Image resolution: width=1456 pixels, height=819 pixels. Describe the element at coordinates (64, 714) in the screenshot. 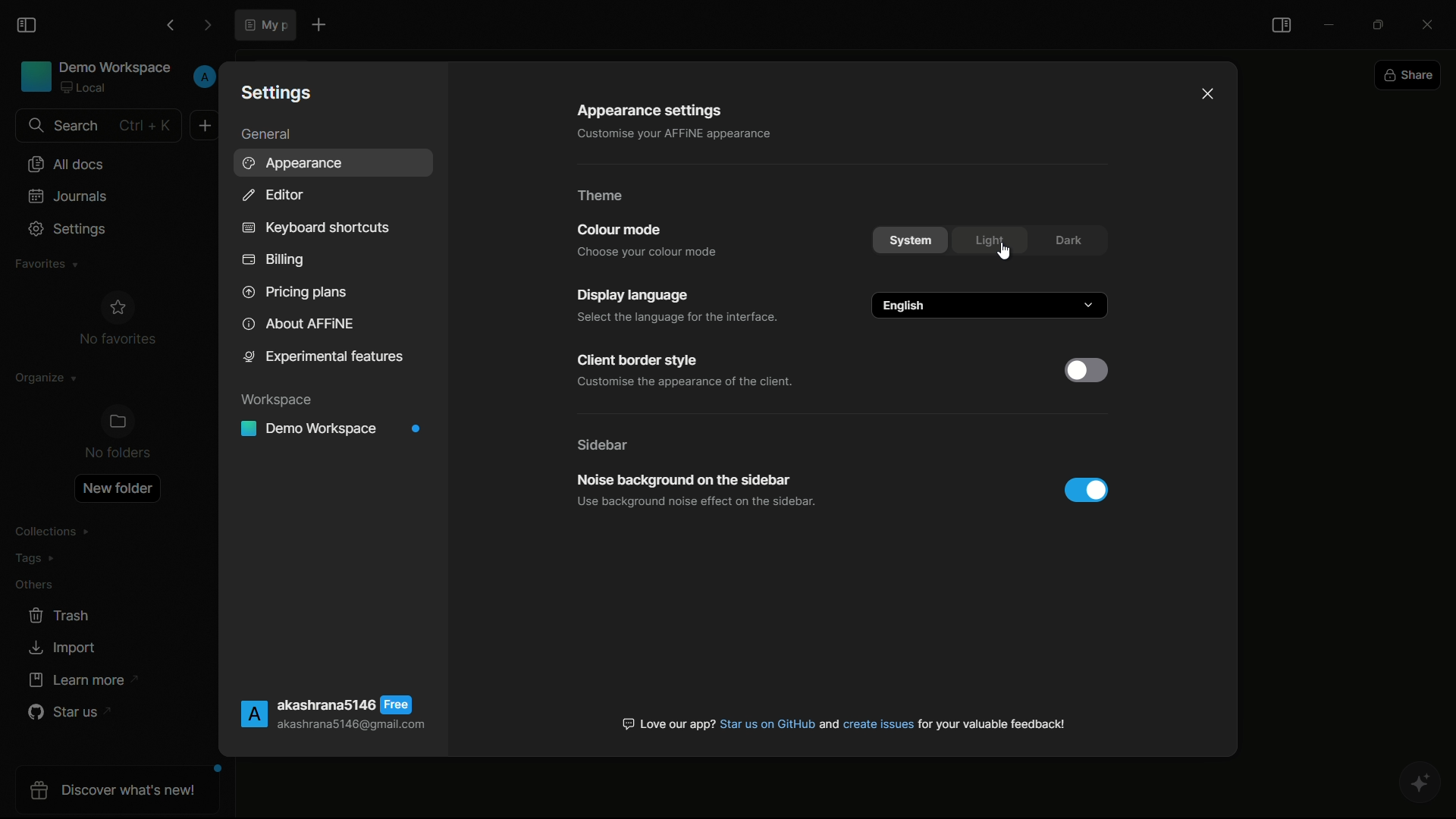

I see `star us` at that location.